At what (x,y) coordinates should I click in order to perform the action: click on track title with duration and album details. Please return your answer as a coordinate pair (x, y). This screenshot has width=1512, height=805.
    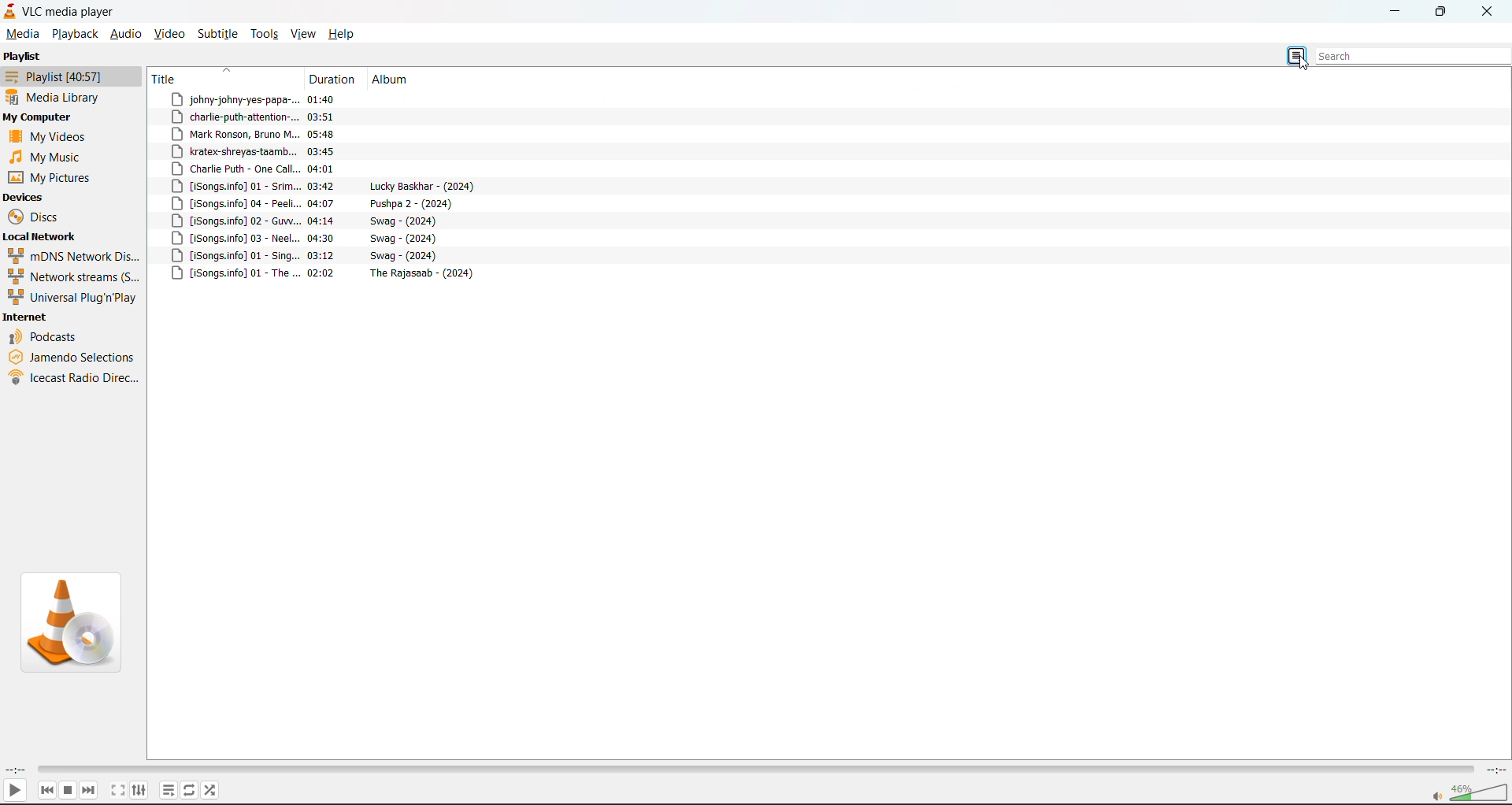
    Looking at the image, I should click on (295, 150).